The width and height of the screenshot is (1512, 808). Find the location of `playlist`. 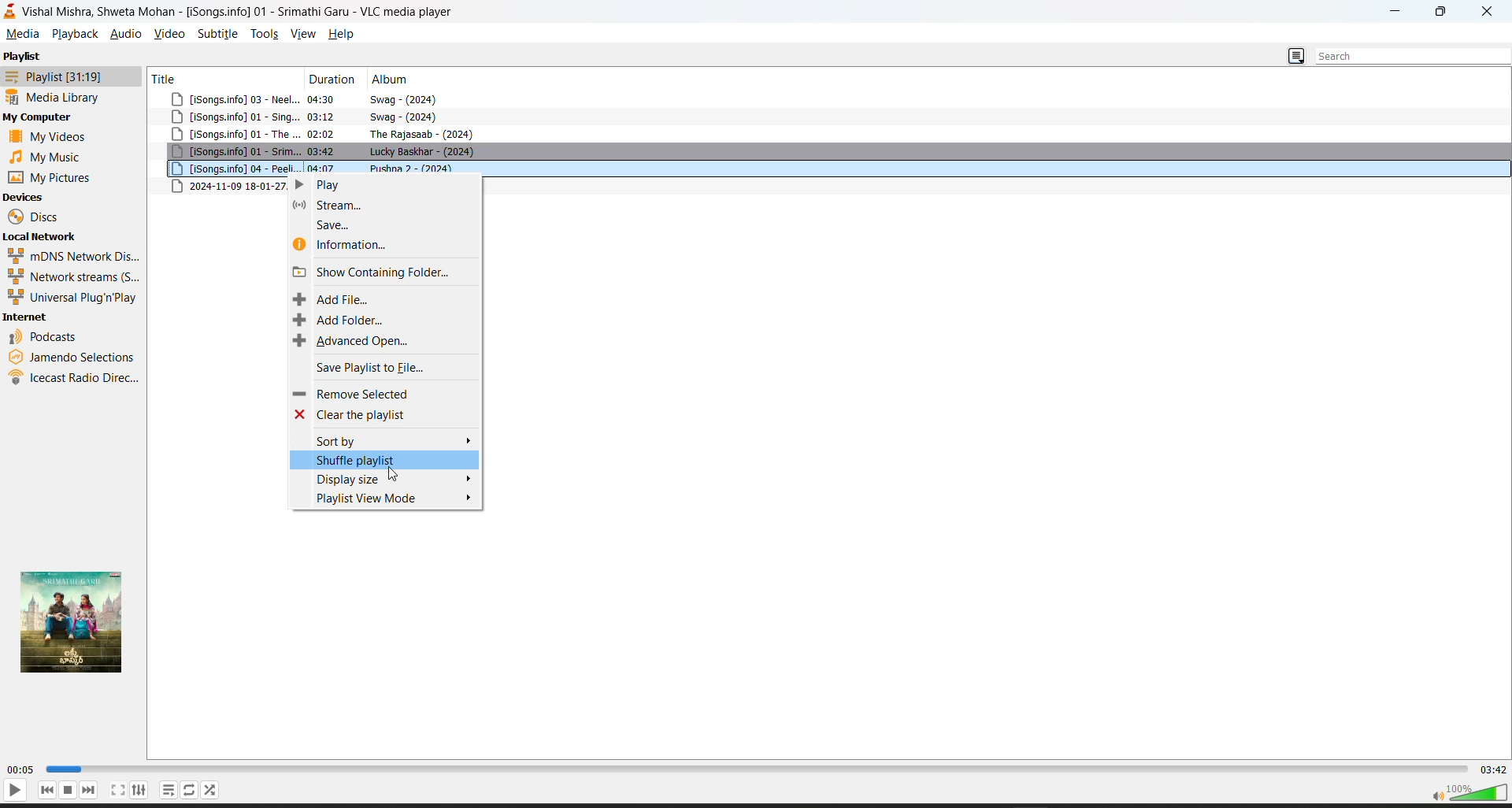

playlist is located at coordinates (167, 788).